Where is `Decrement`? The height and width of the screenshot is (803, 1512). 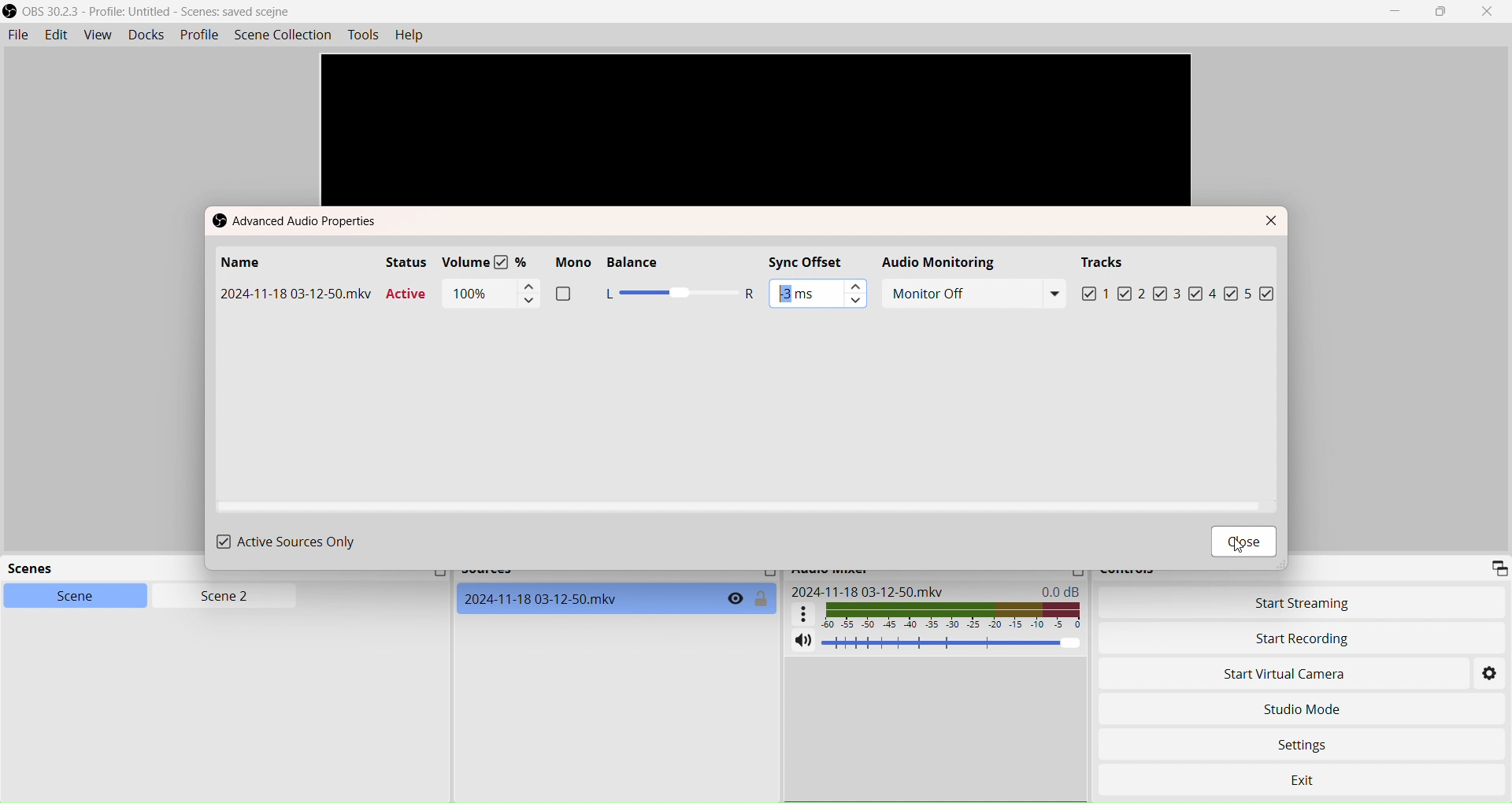
Decrement is located at coordinates (856, 302).